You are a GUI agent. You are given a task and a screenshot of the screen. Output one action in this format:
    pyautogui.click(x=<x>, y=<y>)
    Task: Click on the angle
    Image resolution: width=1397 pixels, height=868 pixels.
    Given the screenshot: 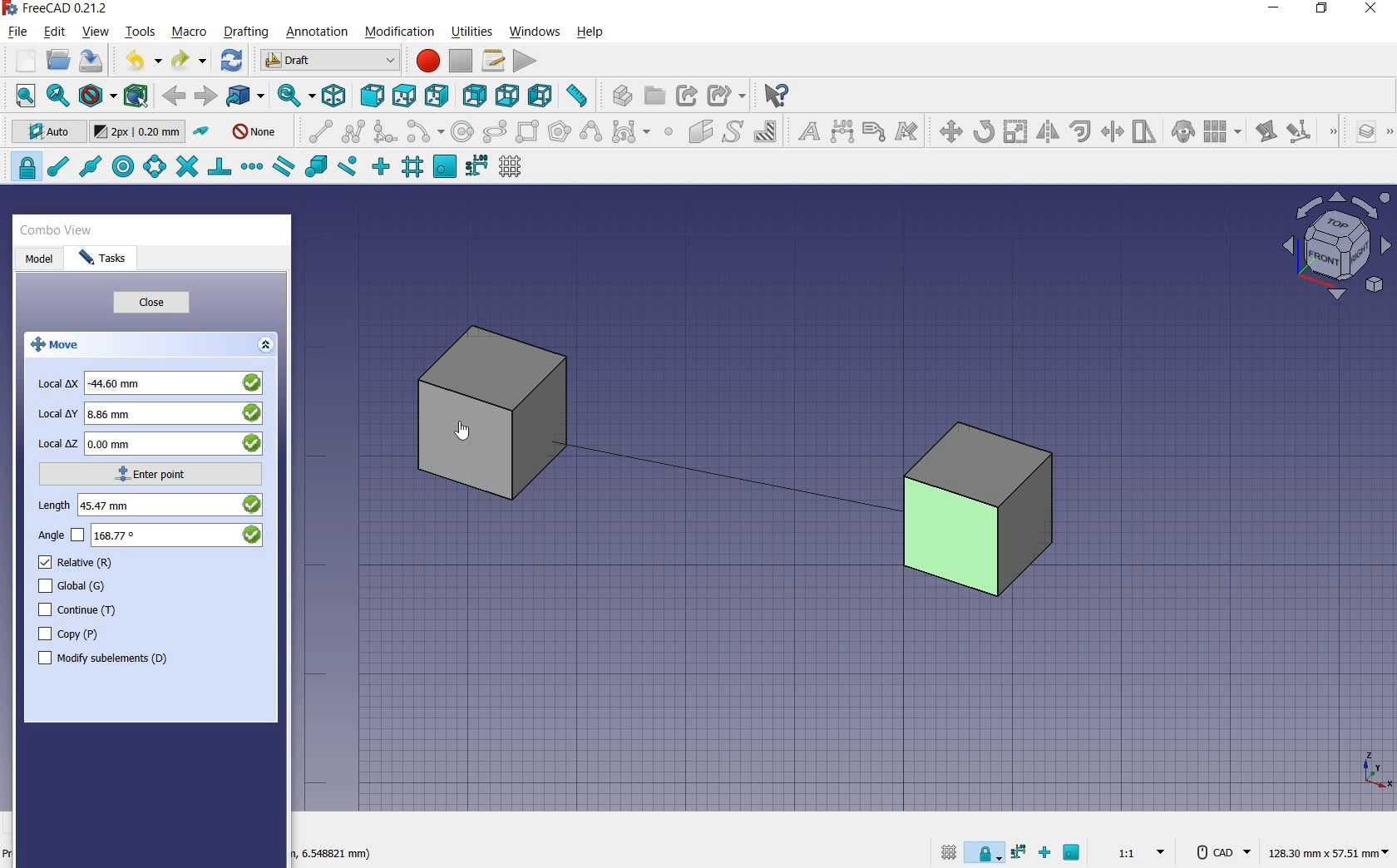 What is the action you would take?
    pyautogui.click(x=151, y=535)
    